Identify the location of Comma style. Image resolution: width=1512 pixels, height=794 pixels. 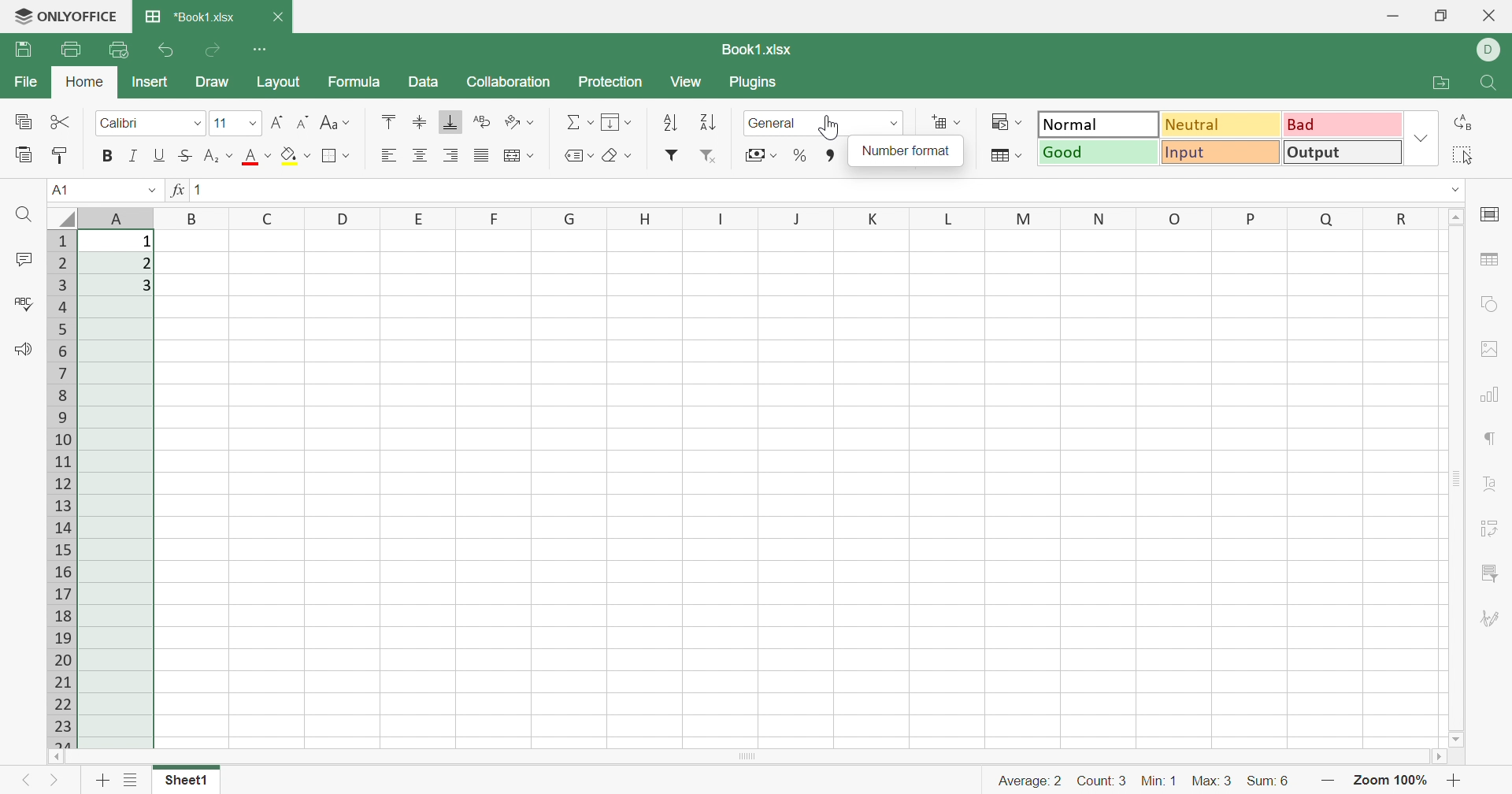
(832, 156).